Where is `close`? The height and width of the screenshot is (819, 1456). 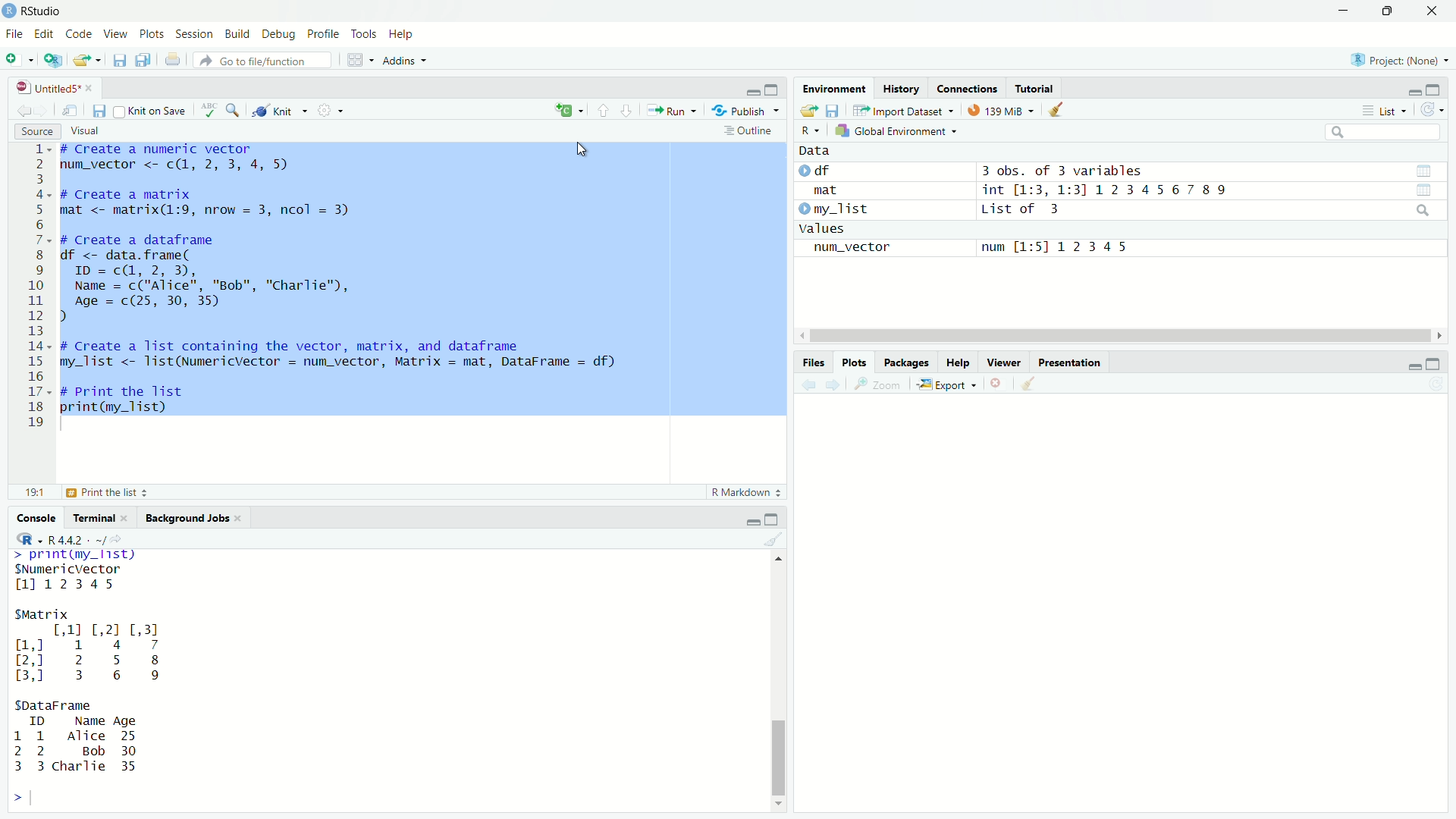 close is located at coordinates (1437, 11).